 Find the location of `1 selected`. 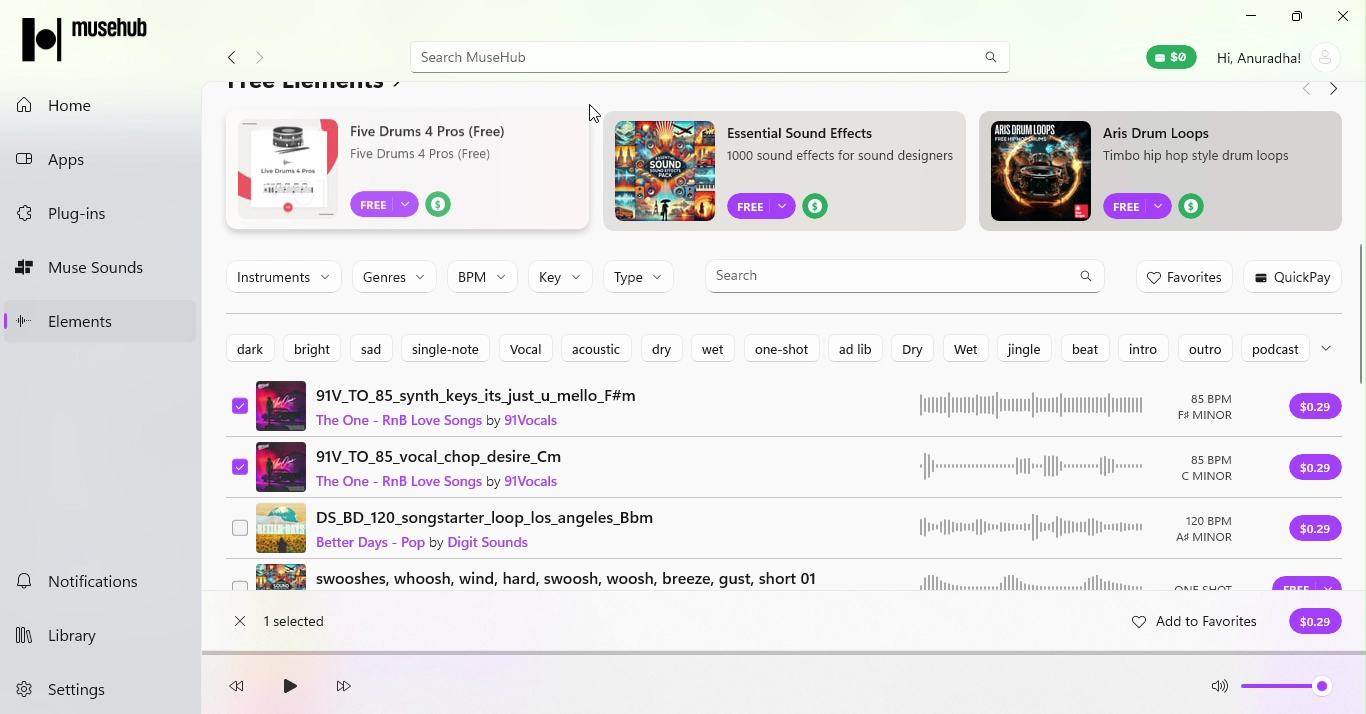

1 selected is located at coordinates (302, 622).